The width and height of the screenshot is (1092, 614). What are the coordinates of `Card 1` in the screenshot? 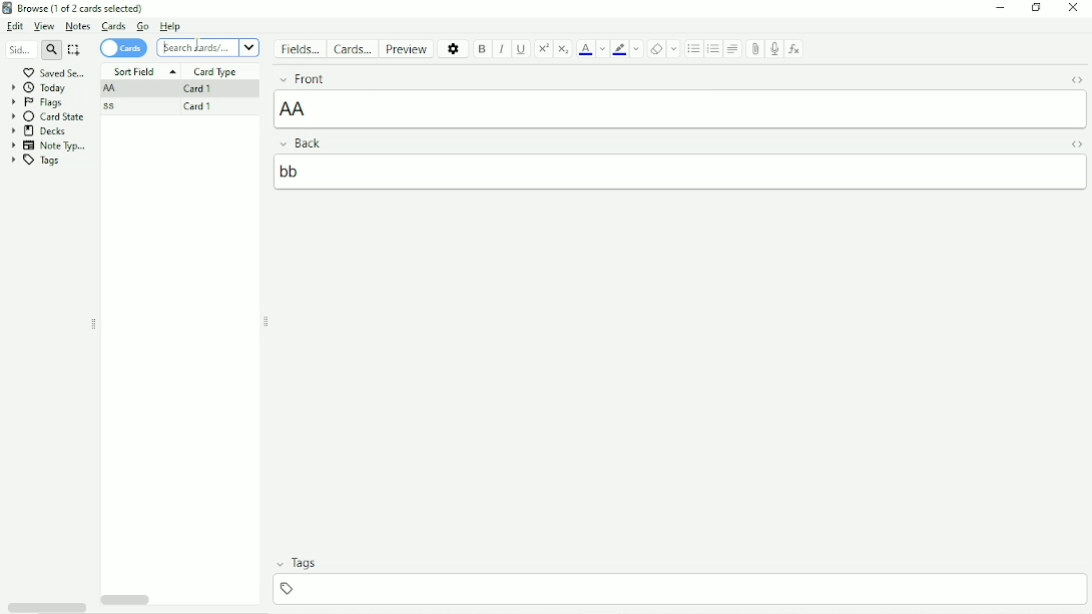 It's located at (196, 107).